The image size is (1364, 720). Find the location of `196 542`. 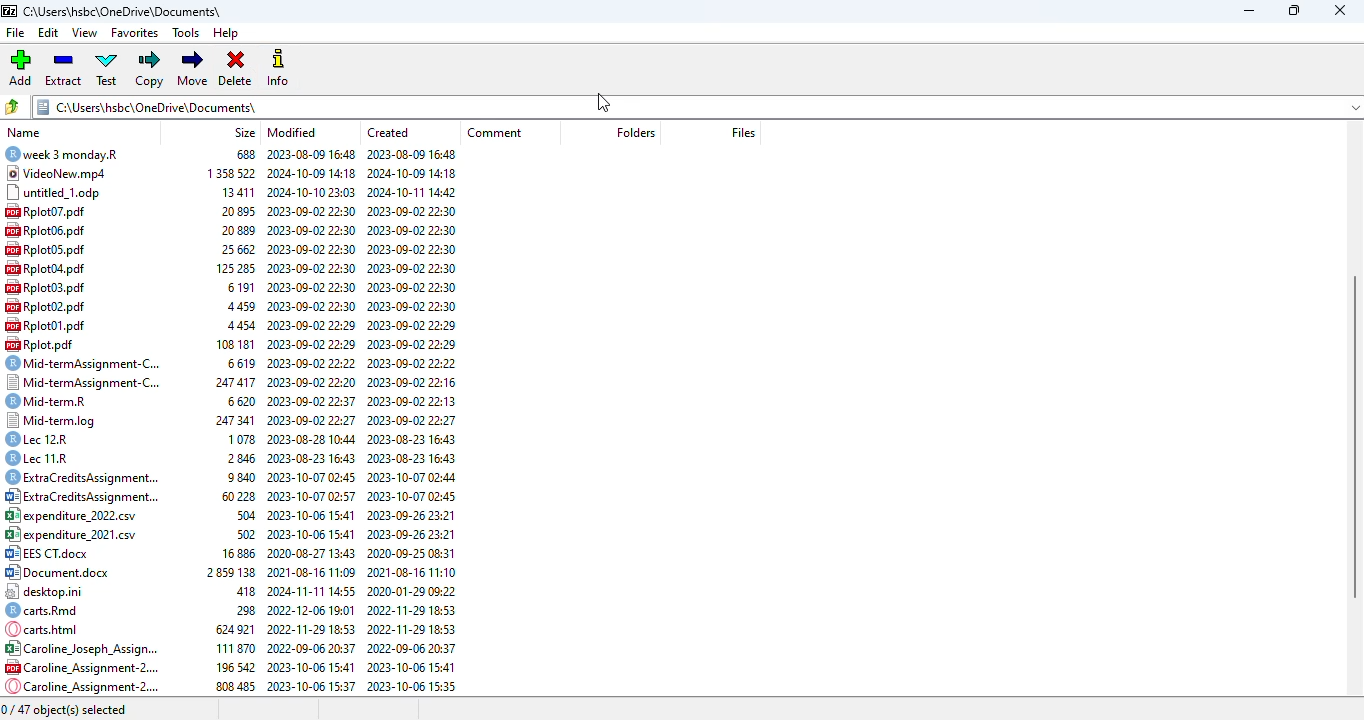

196 542 is located at coordinates (234, 664).